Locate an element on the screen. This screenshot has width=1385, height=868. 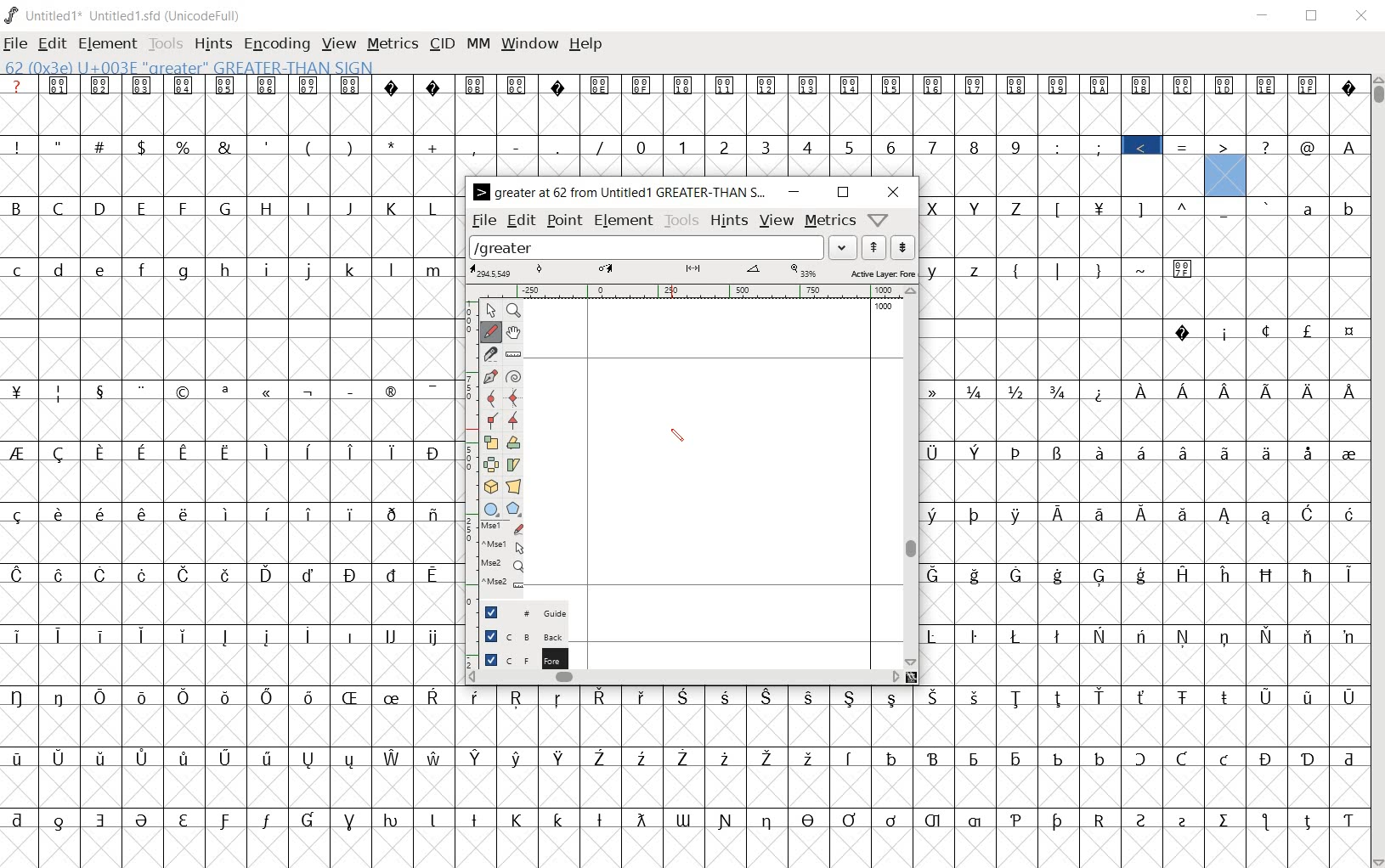
scroll by hand is located at coordinates (512, 332).